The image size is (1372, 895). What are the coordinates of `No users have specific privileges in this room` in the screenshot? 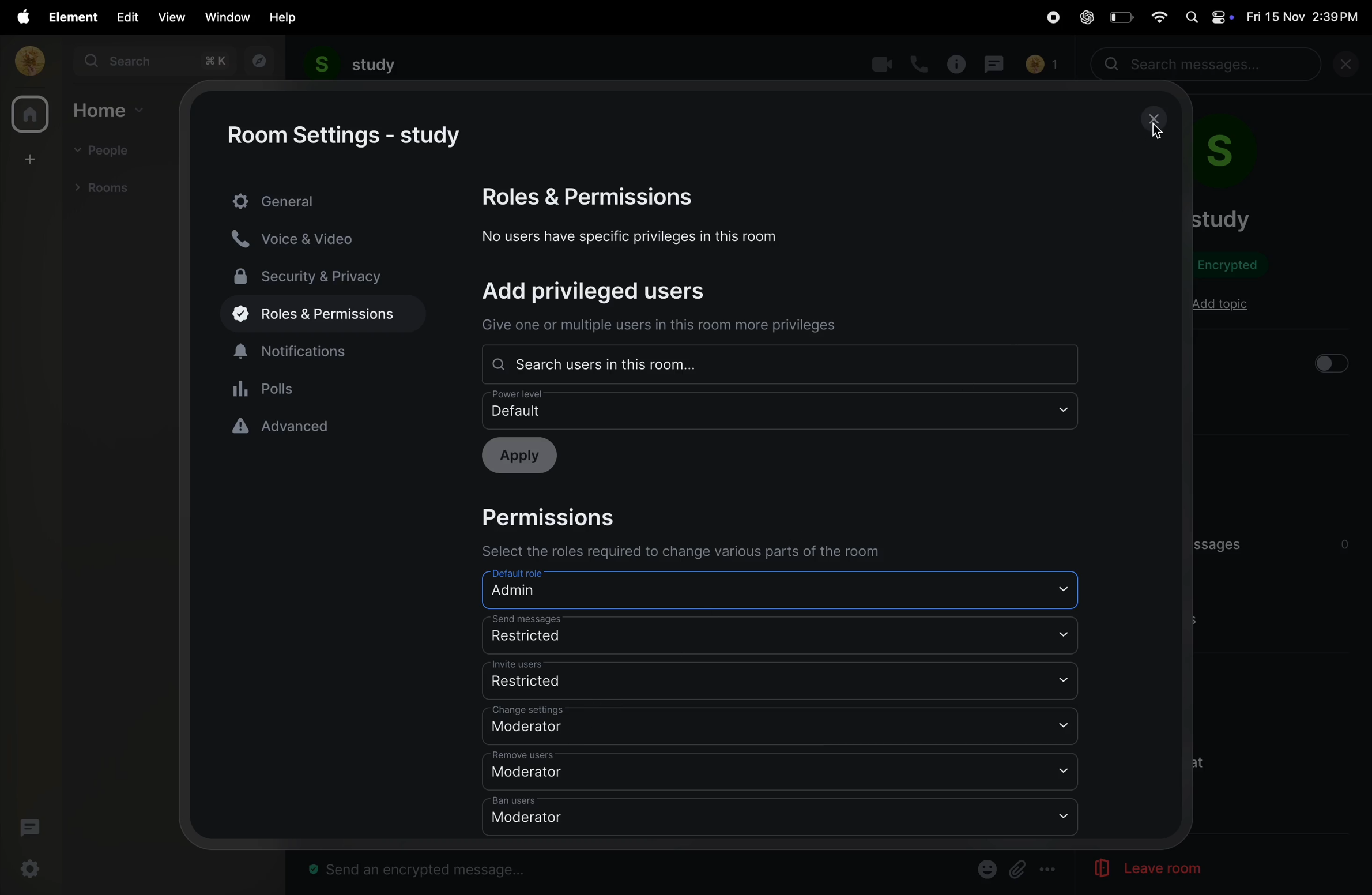 It's located at (631, 237).